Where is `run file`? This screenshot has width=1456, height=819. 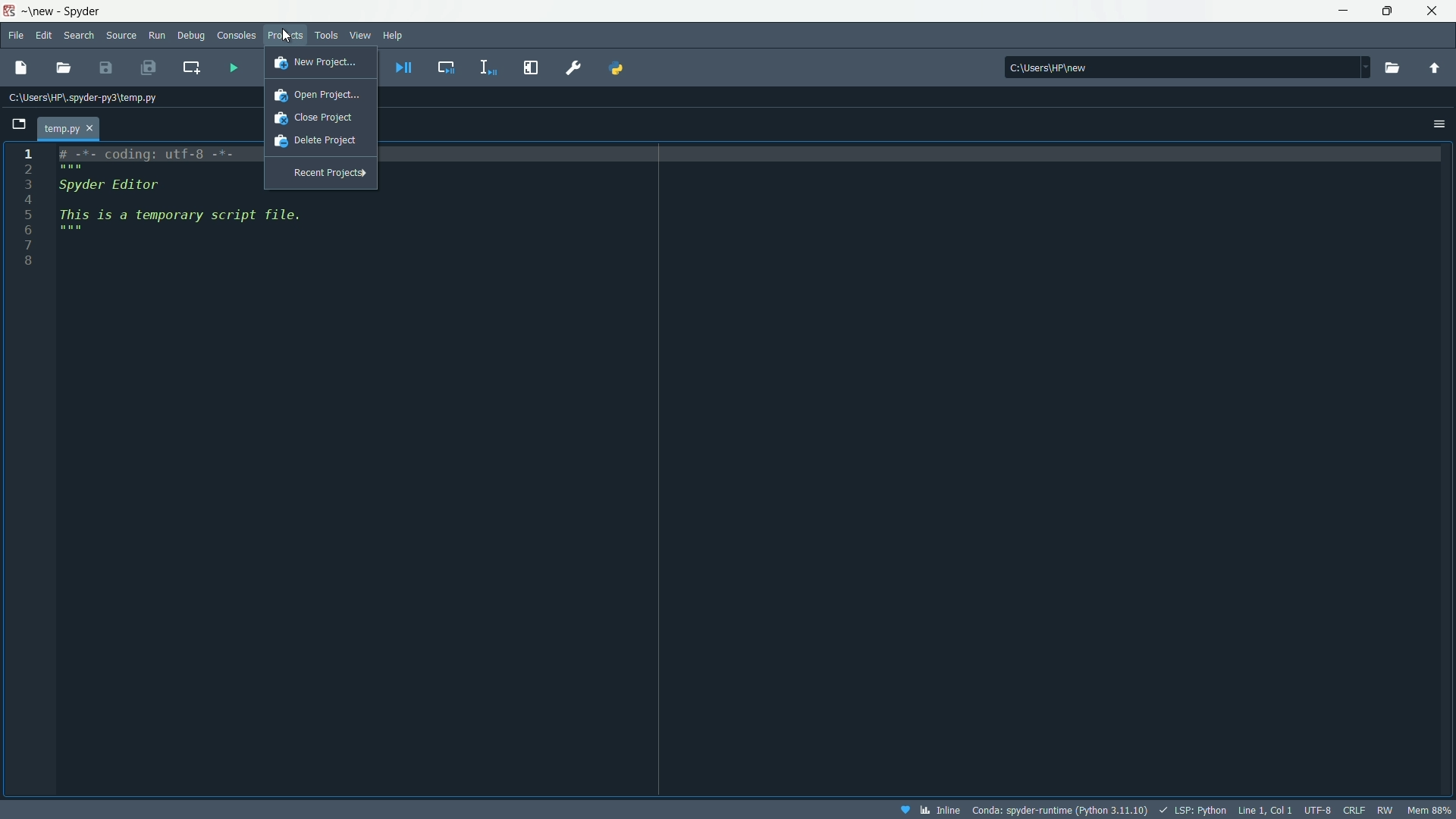 run file is located at coordinates (234, 70).